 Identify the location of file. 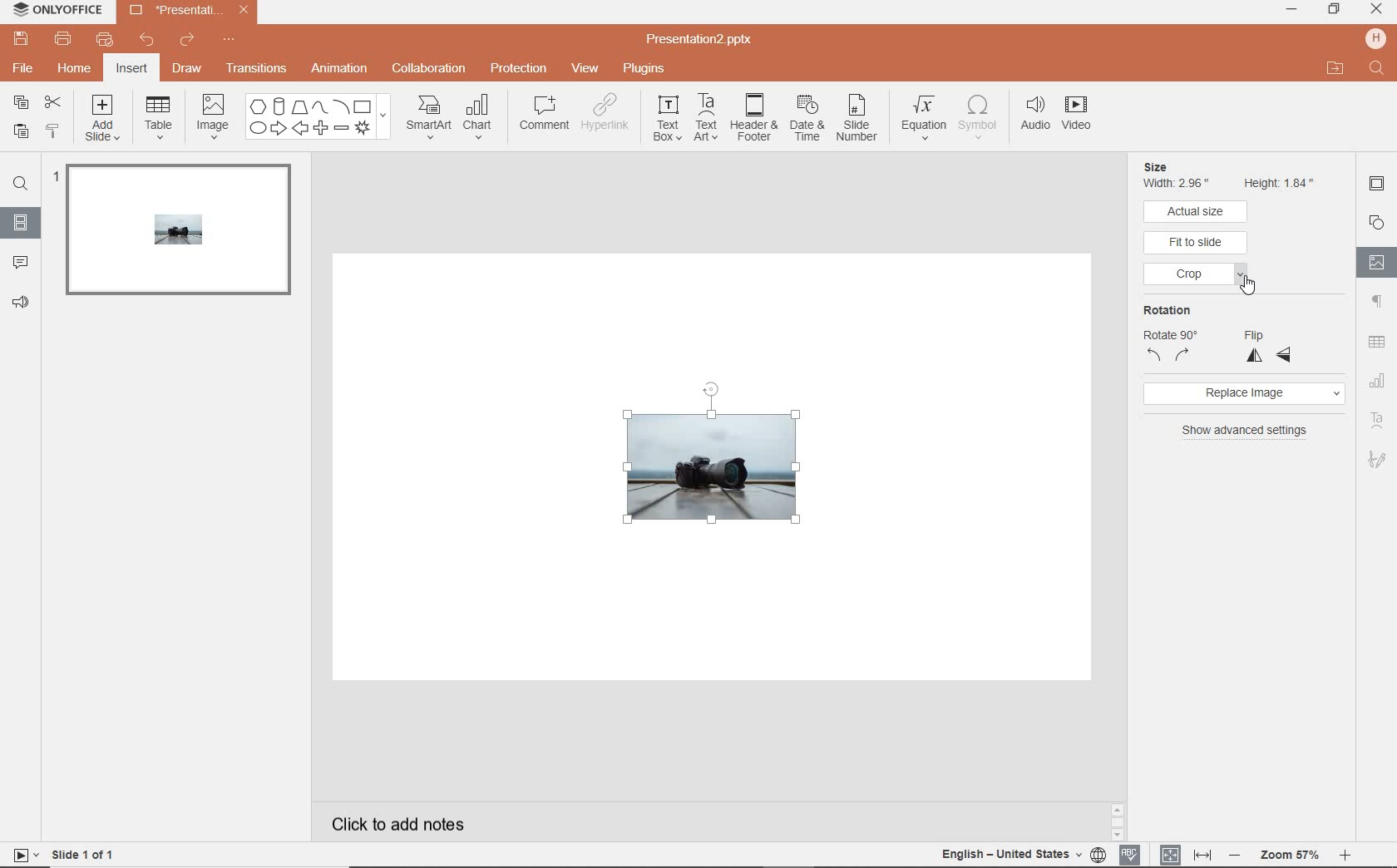
(24, 70).